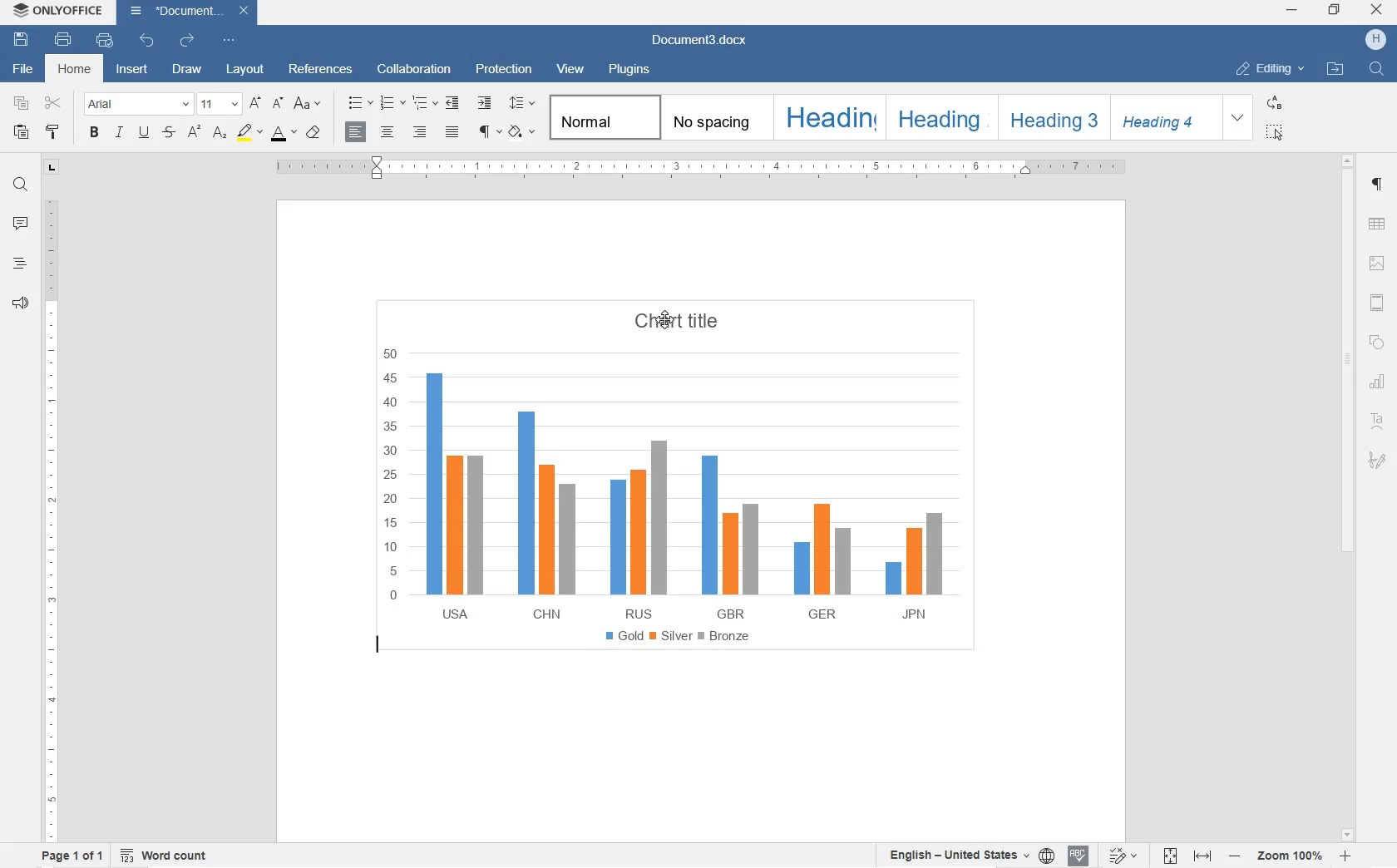 Image resolution: width=1397 pixels, height=868 pixels. I want to click on PARAGRAPH LINE SPACING, so click(521, 104).